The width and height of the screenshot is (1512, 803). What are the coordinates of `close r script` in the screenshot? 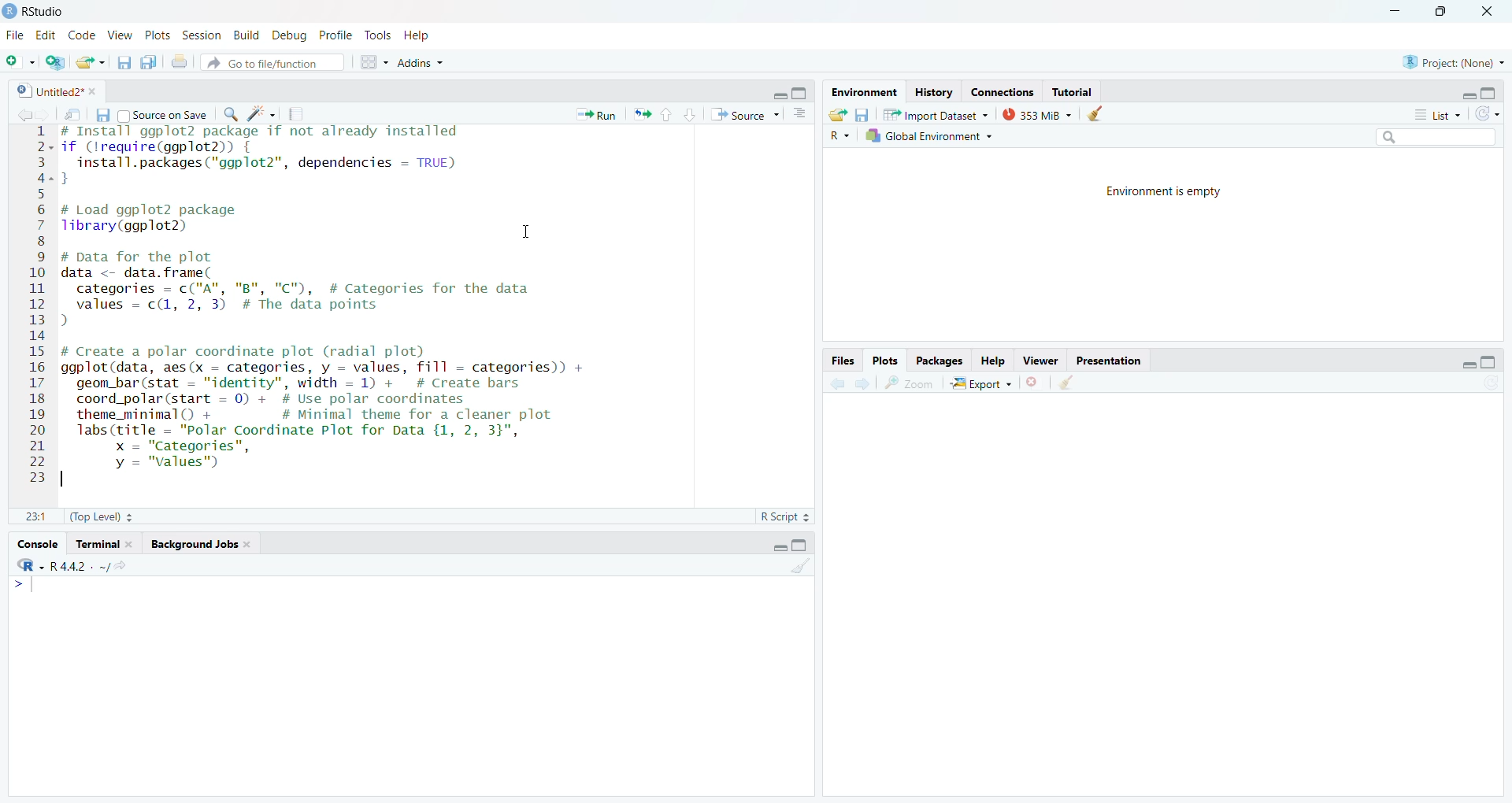 It's located at (774, 94).